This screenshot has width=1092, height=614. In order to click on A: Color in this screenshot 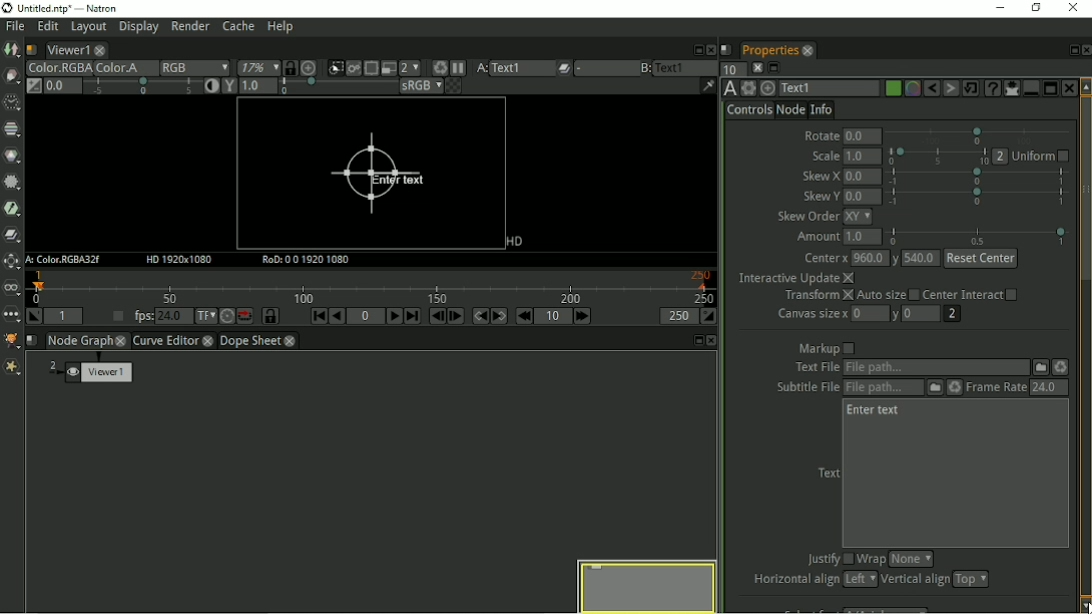, I will do `click(65, 260)`.